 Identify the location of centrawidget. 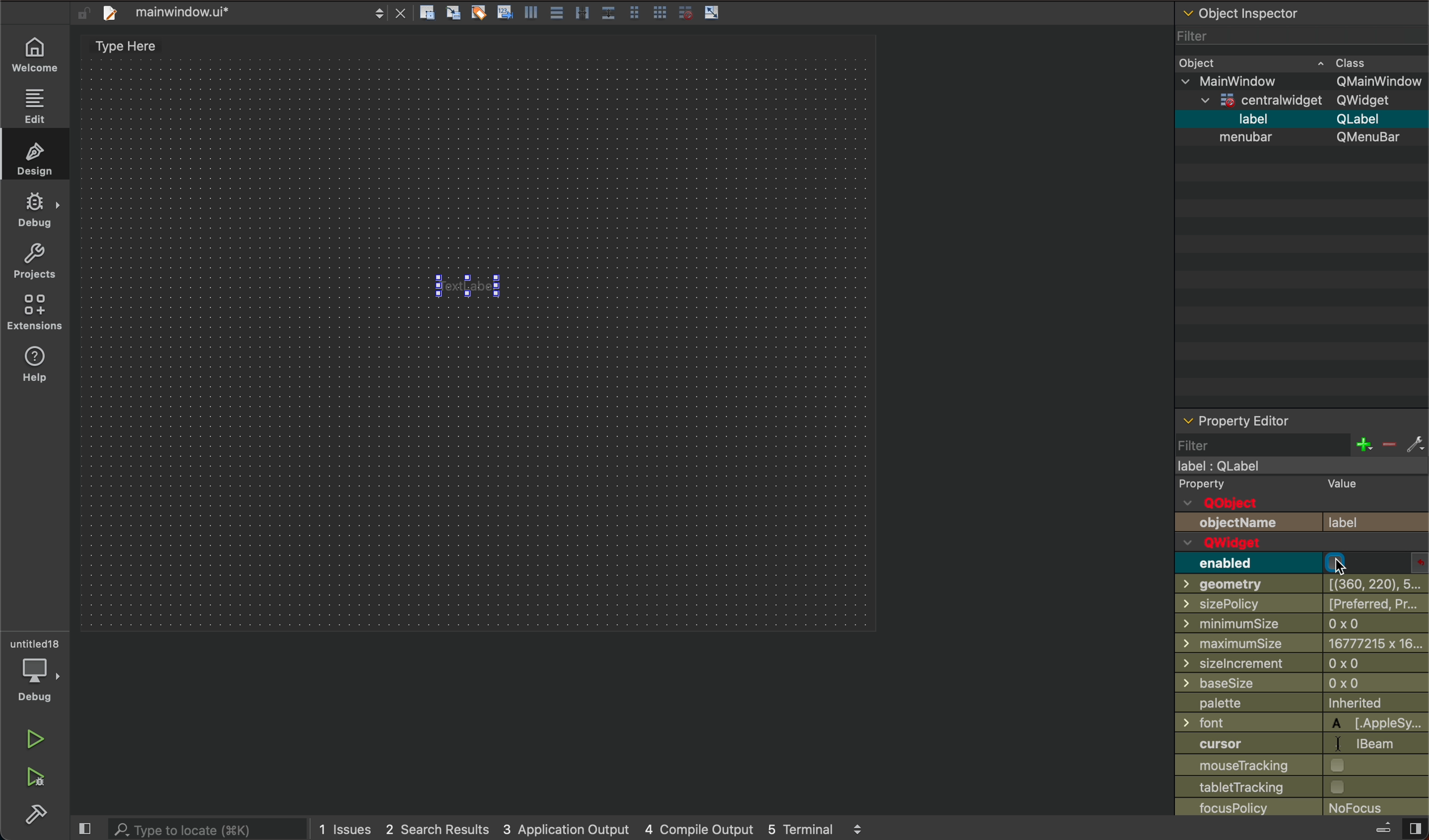
(1258, 99).